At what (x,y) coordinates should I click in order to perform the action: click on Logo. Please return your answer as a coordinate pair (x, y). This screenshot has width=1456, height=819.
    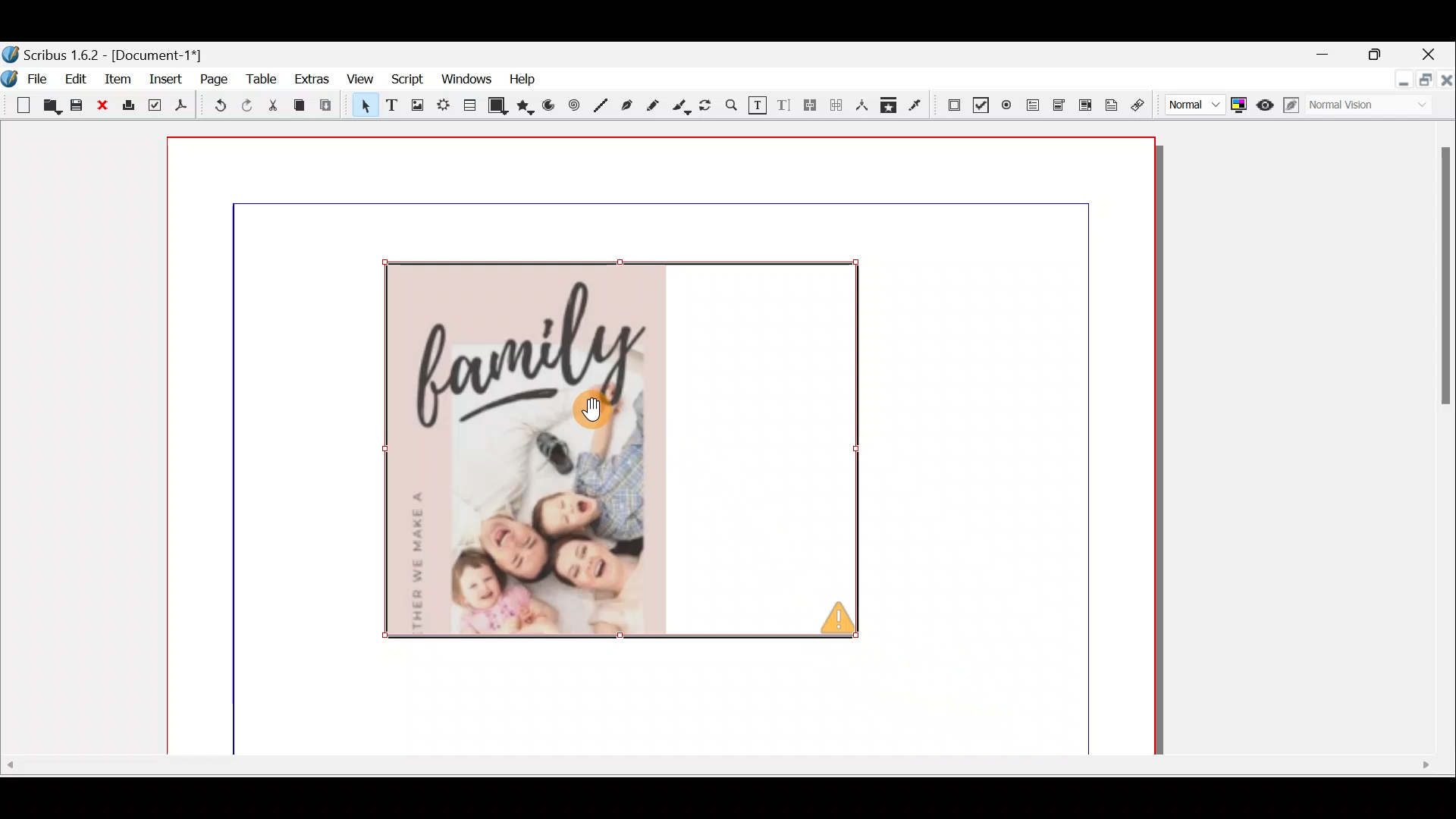
    Looking at the image, I should click on (12, 78).